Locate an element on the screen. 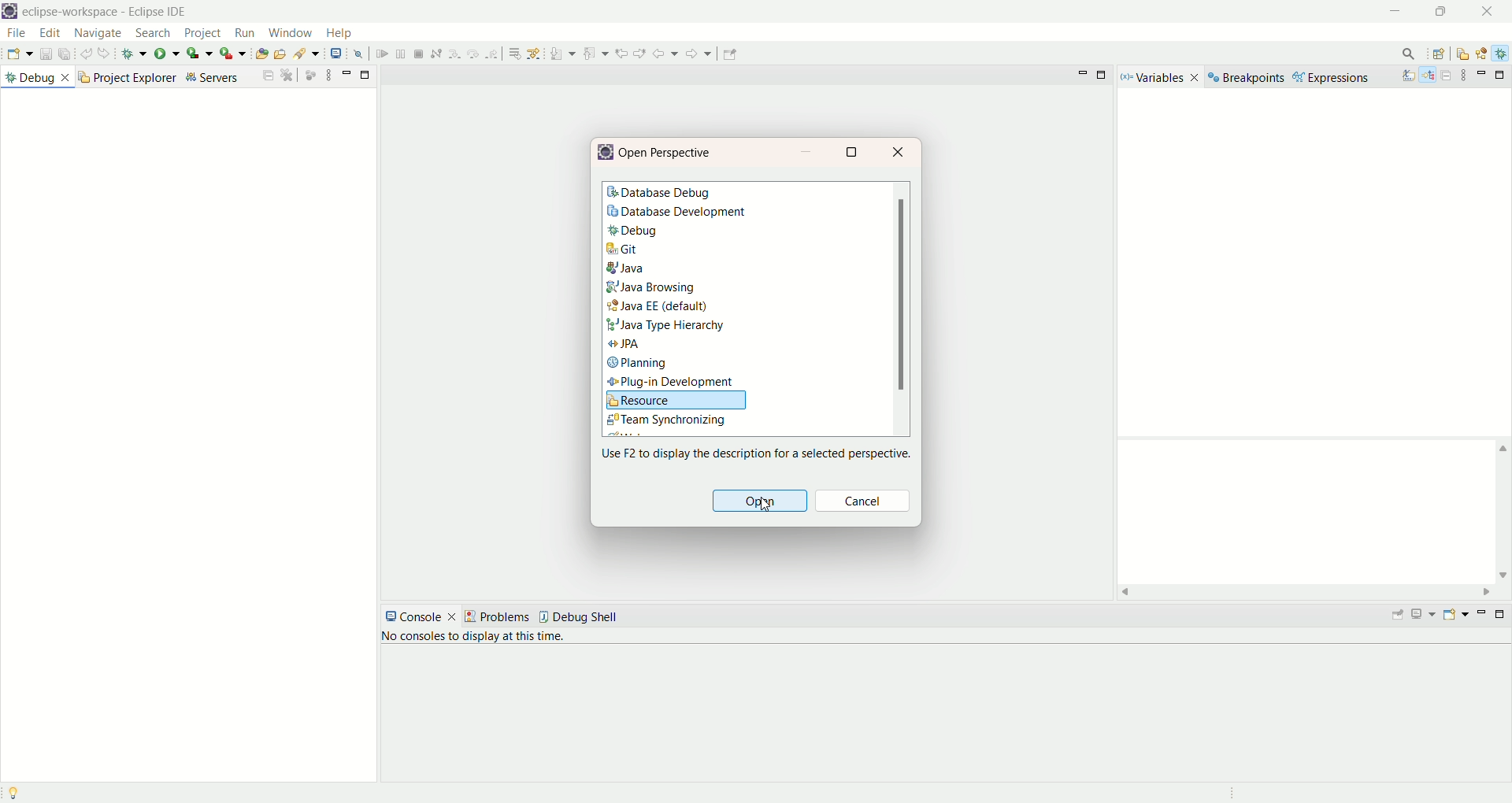 Image resolution: width=1512 pixels, height=803 pixels. cursor is located at coordinates (764, 509).